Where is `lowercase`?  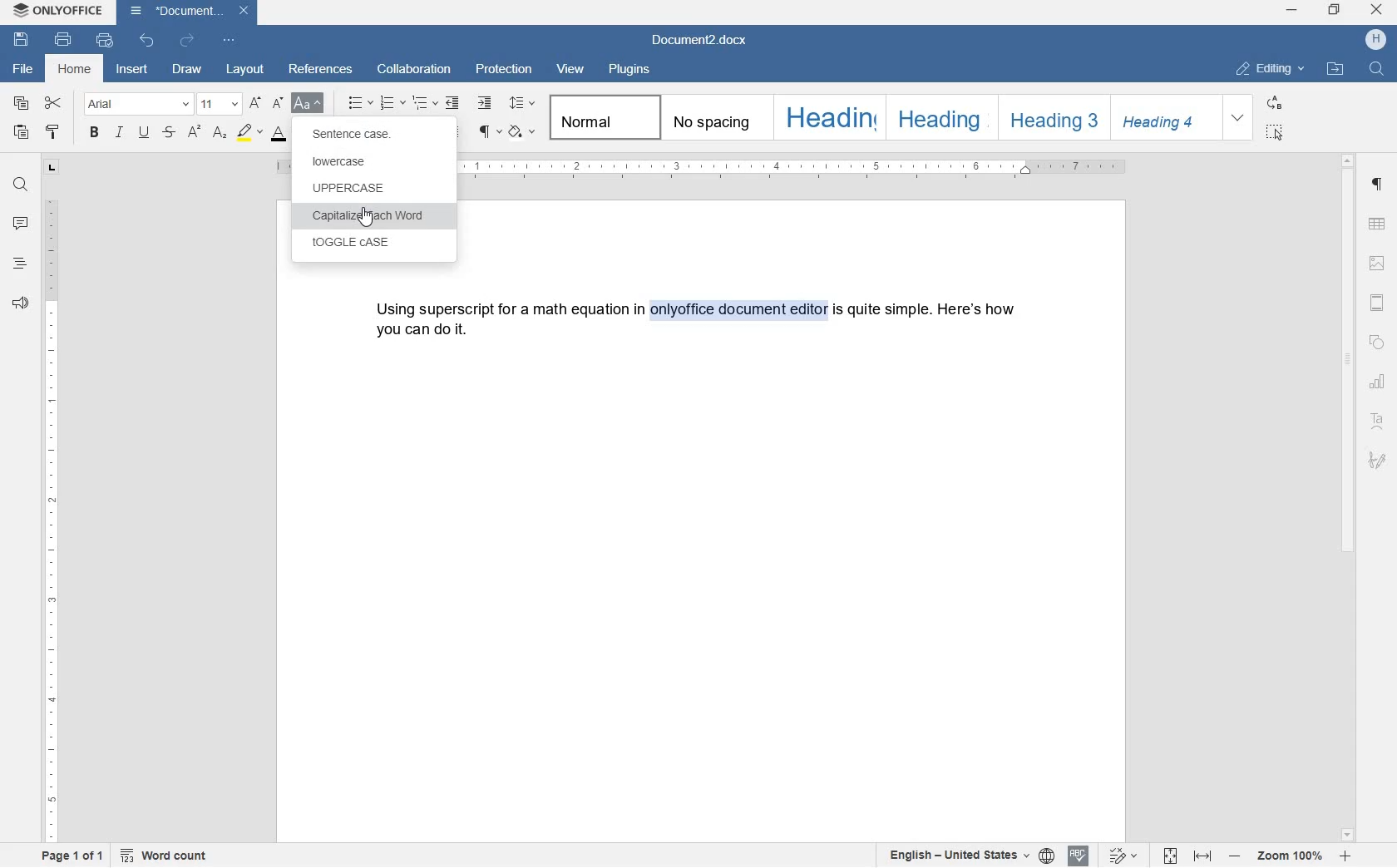 lowercase is located at coordinates (347, 164).